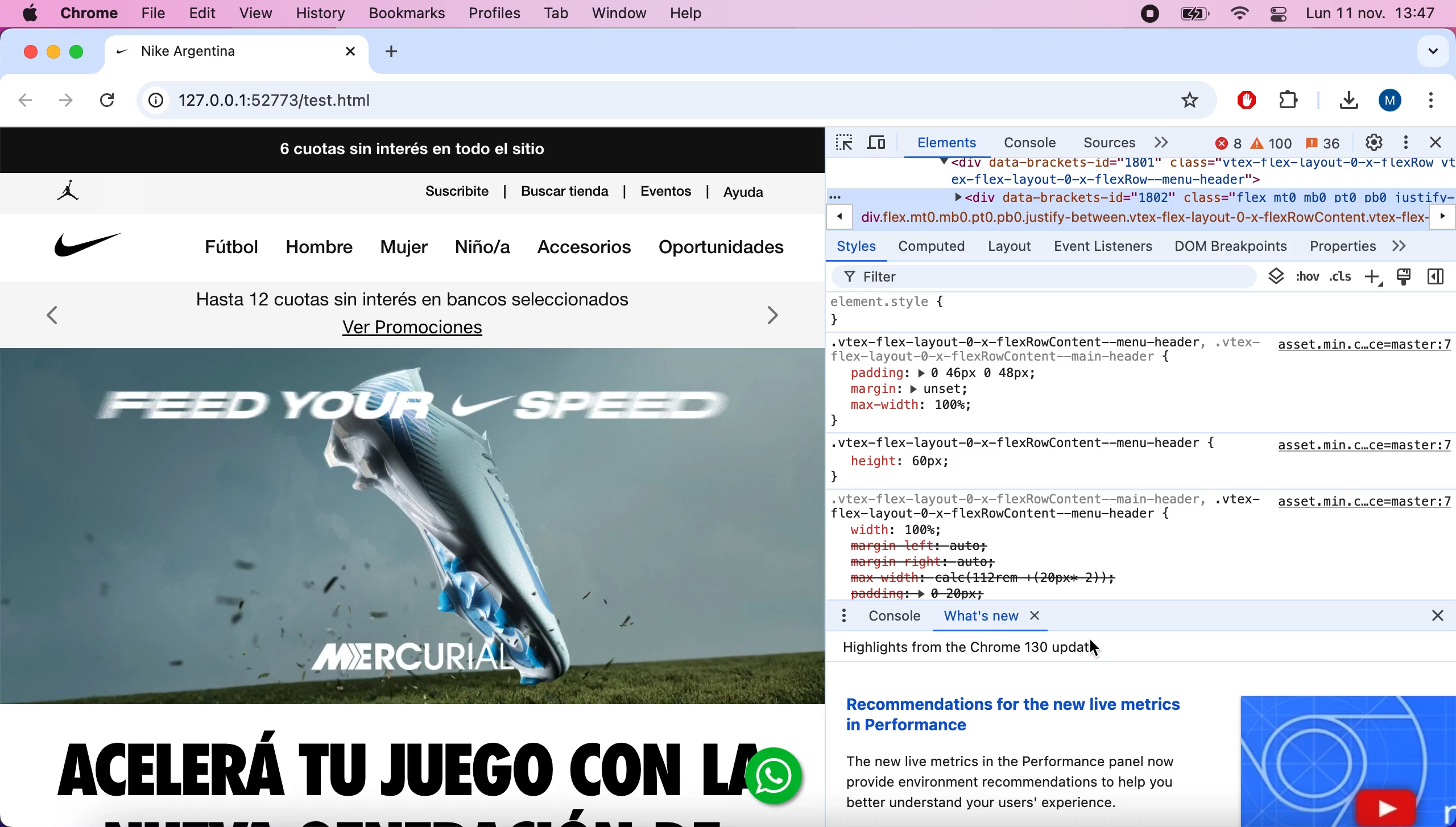 The width and height of the screenshot is (1456, 827). I want to click on Buscar tienda, so click(567, 191).